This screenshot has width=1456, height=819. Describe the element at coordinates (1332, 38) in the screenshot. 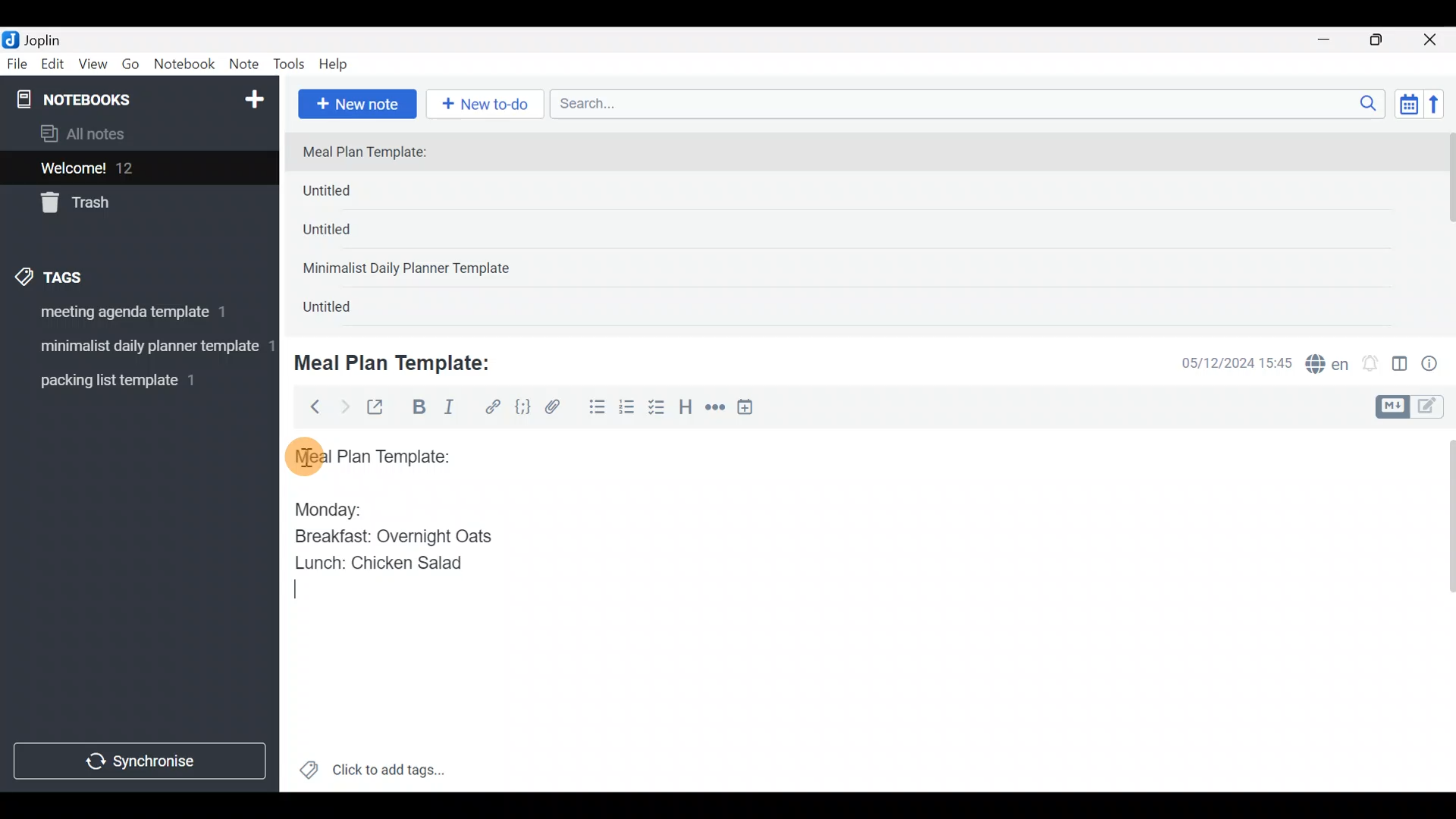

I see `Minimize` at that location.